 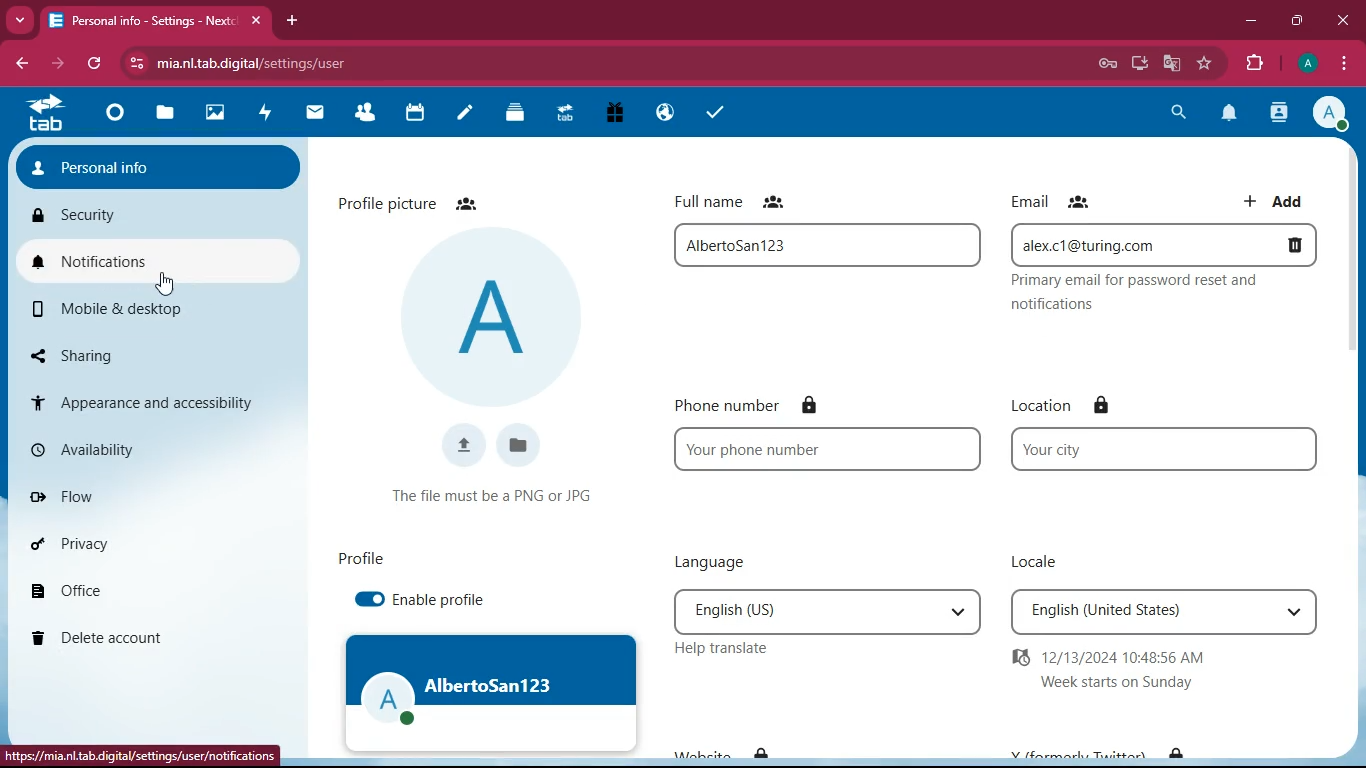 What do you see at coordinates (141, 756) in the screenshot?
I see `https://mia.nl.tab.digital/settings/user/notifications` at bounding box center [141, 756].